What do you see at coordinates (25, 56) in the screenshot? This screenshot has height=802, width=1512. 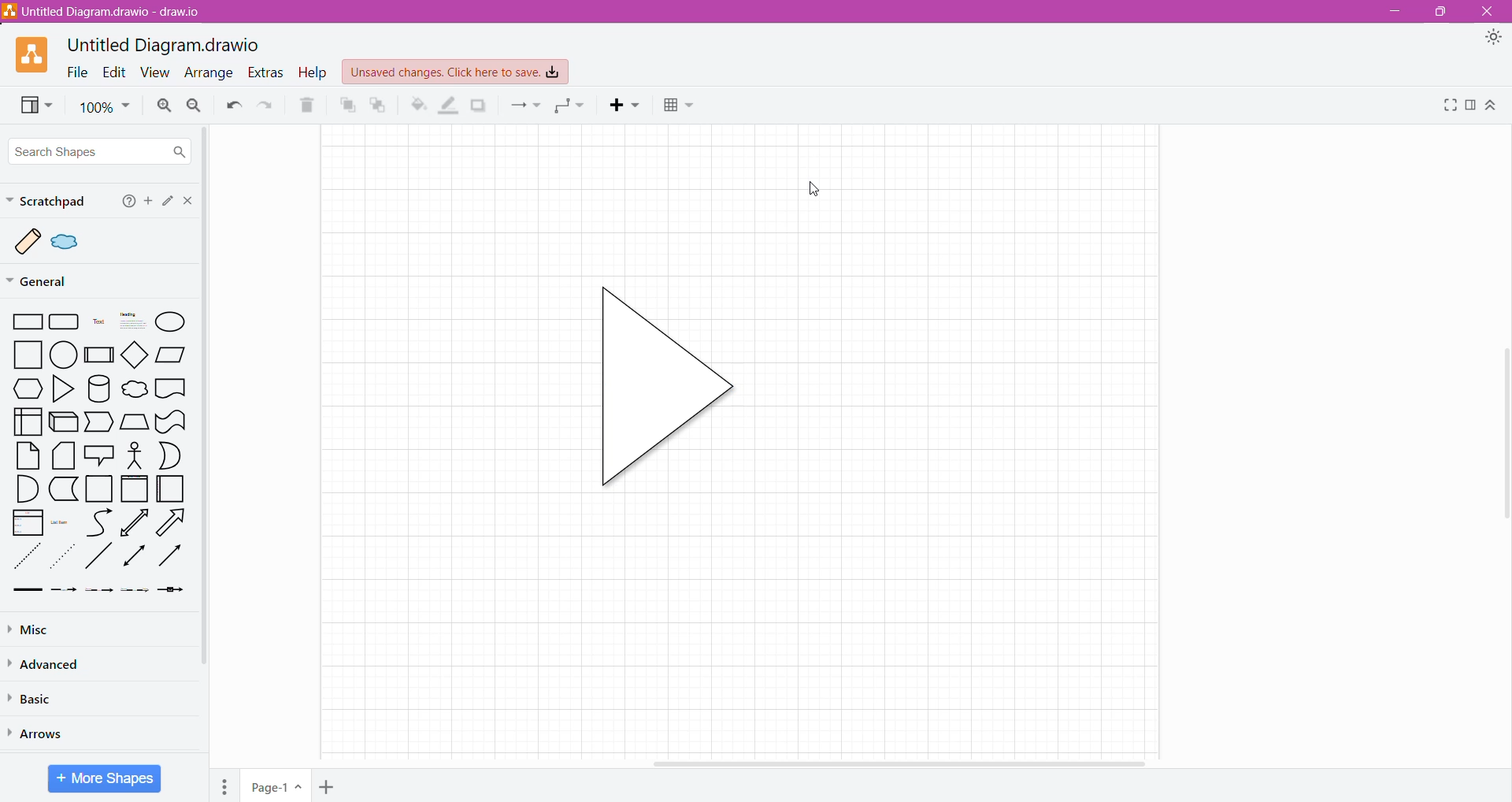 I see `Application Logo` at bounding box center [25, 56].